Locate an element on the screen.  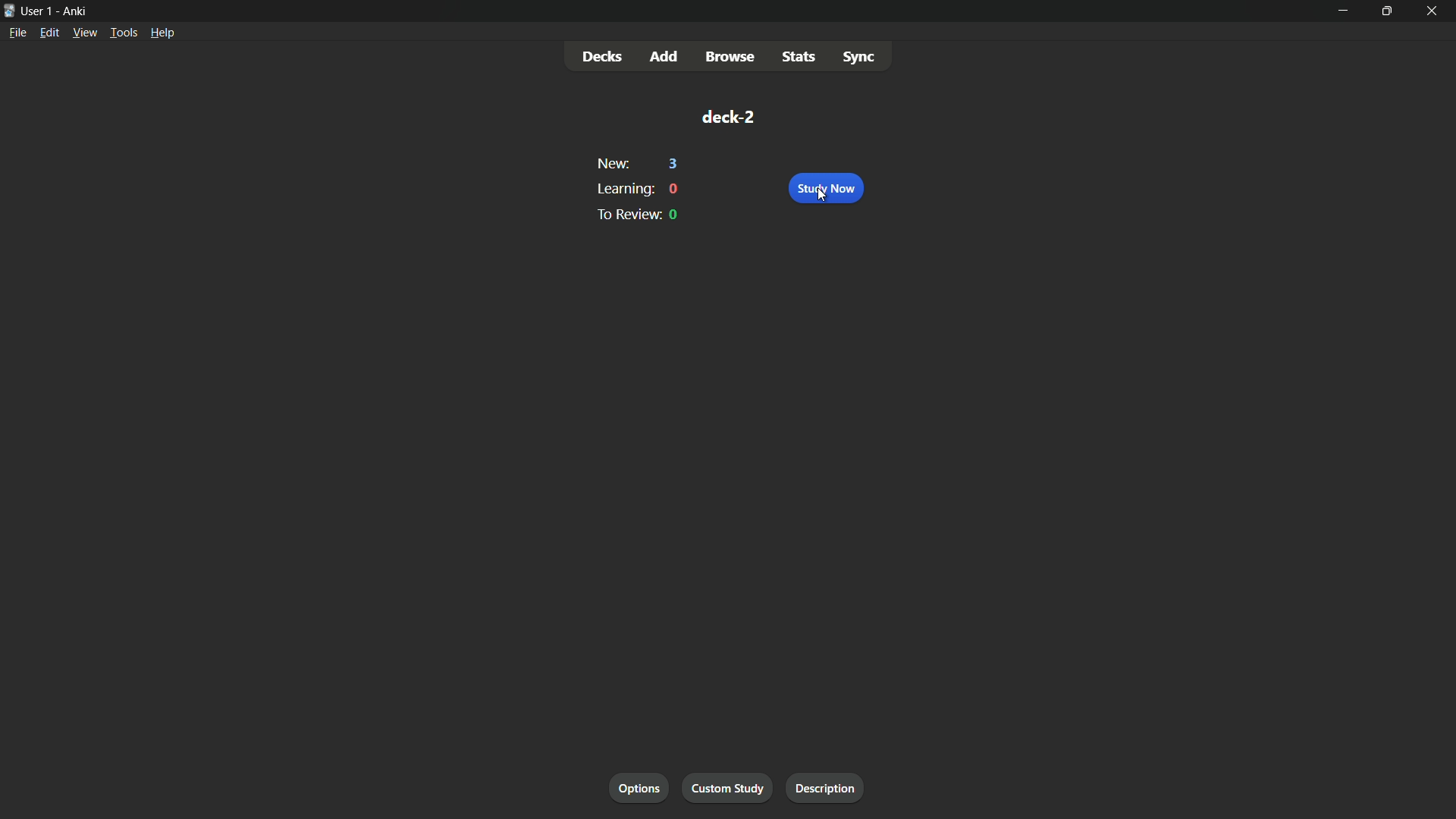
tools menu is located at coordinates (124, 33).